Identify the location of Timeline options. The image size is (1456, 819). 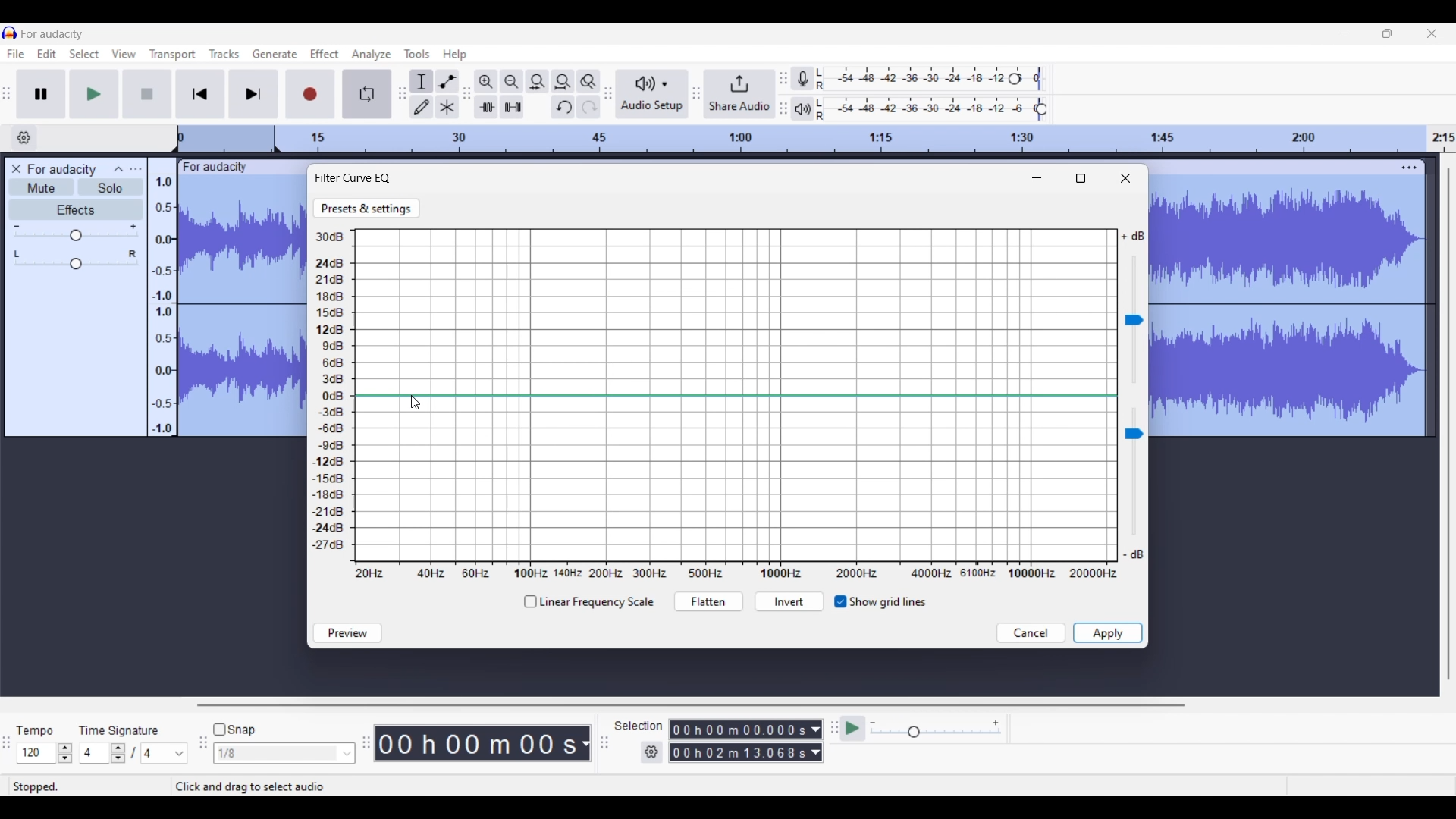
(25, 137).